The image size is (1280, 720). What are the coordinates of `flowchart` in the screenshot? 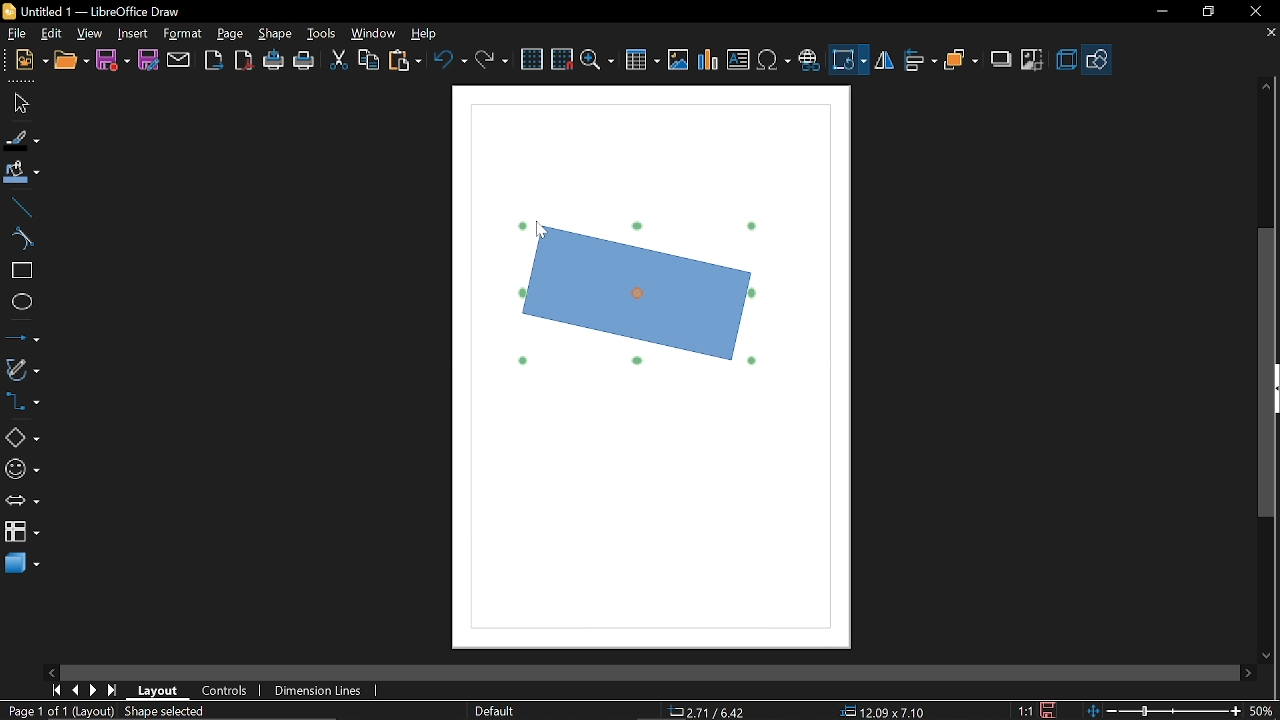 It's located at (21, 534).